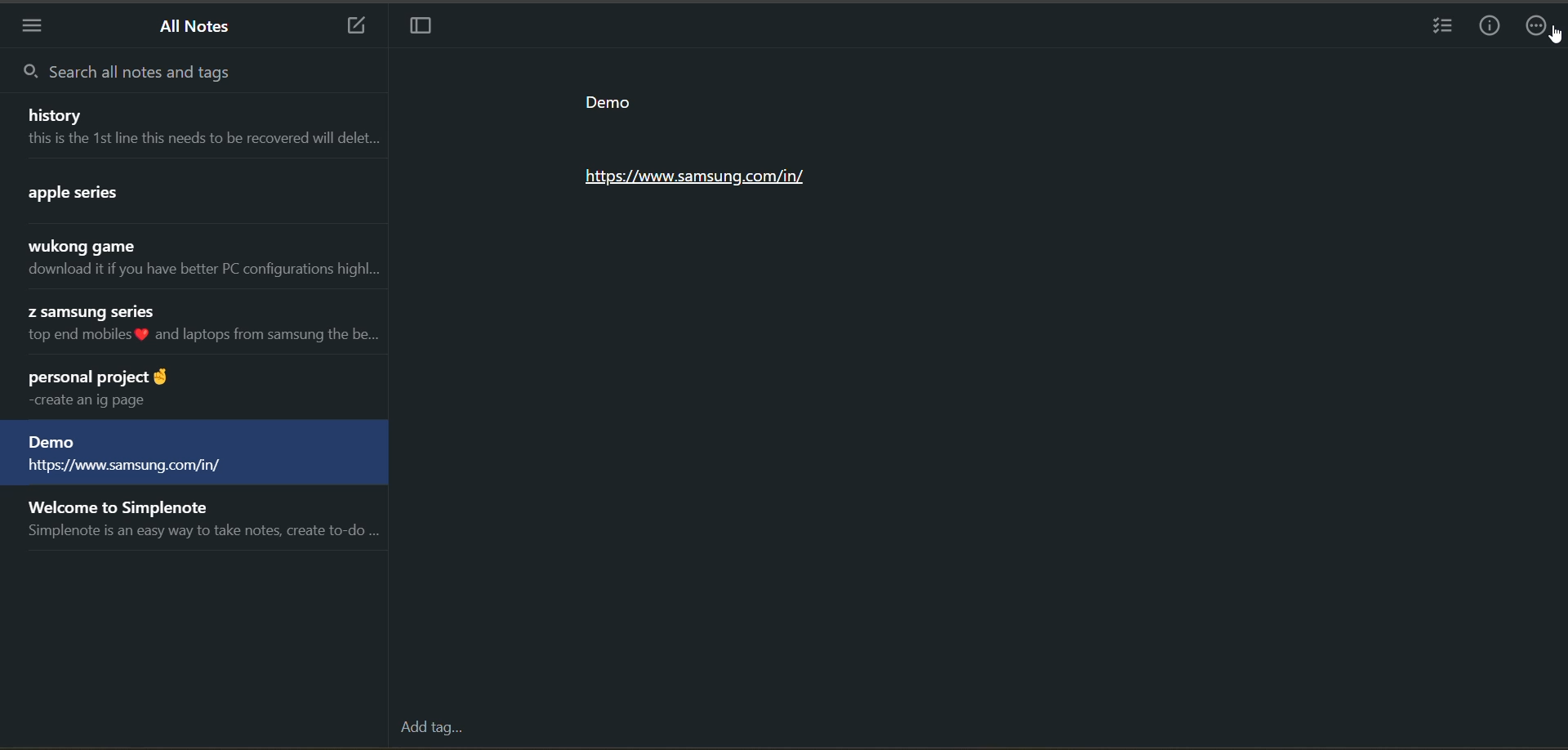  Describe the element at coordinates (33, 28) in the screenshot. I see `menu` at that location.